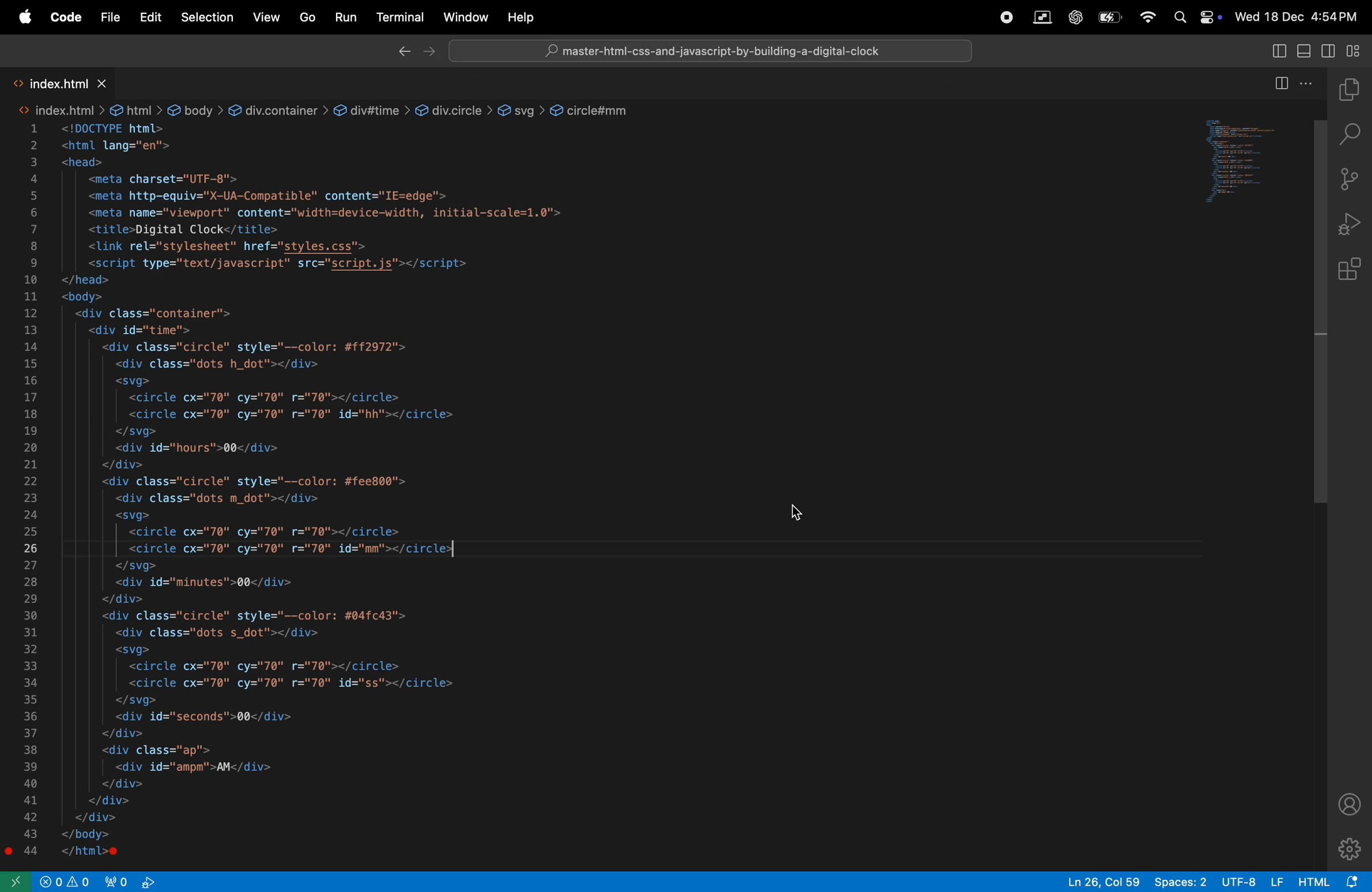 The height and width of the screenshot is (892, 1372). I want to click on Control center, so click(1210, 18).